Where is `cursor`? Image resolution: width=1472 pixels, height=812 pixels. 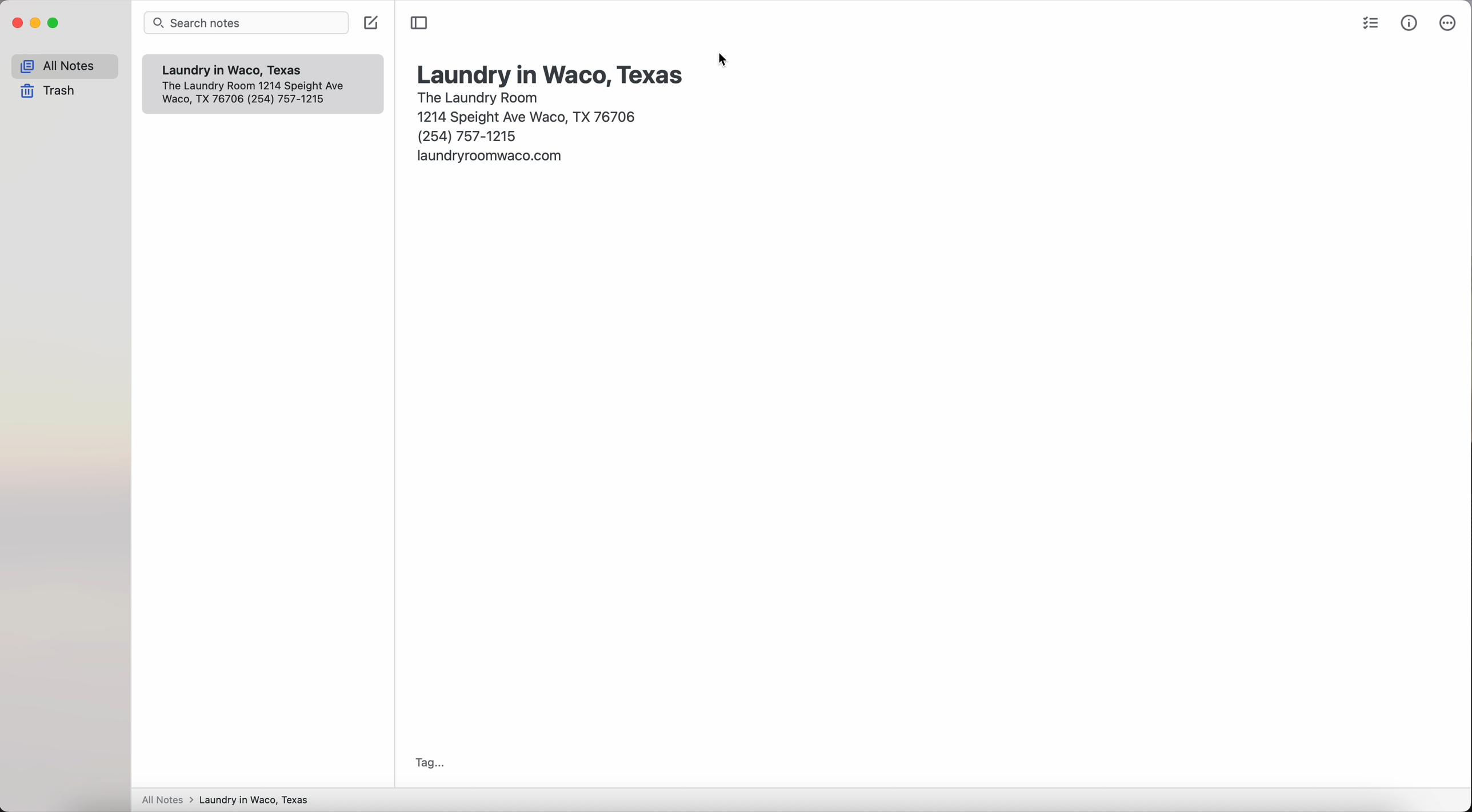
cursor is located at coordinates (724, 61).